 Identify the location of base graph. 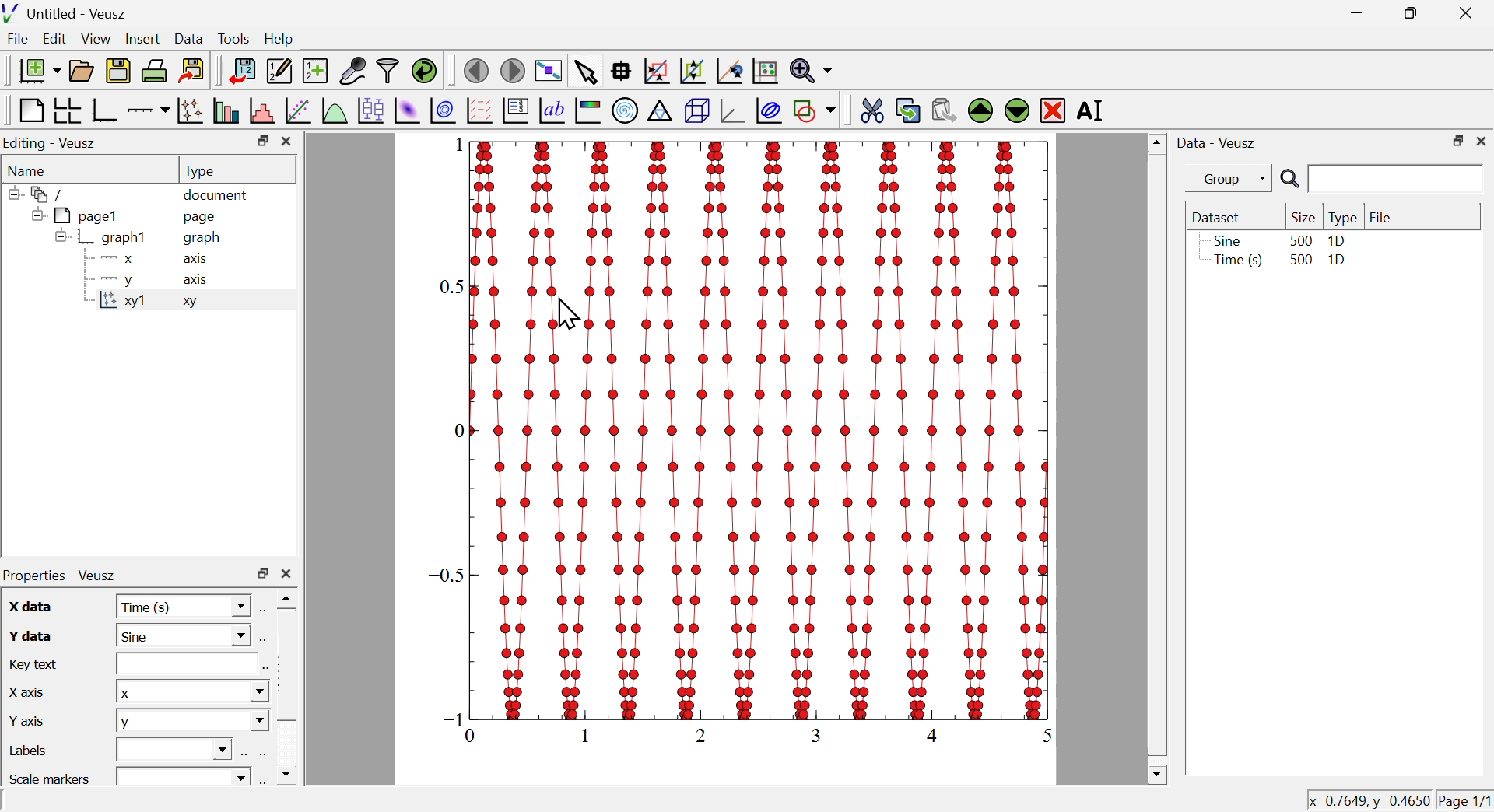
(105, 110).